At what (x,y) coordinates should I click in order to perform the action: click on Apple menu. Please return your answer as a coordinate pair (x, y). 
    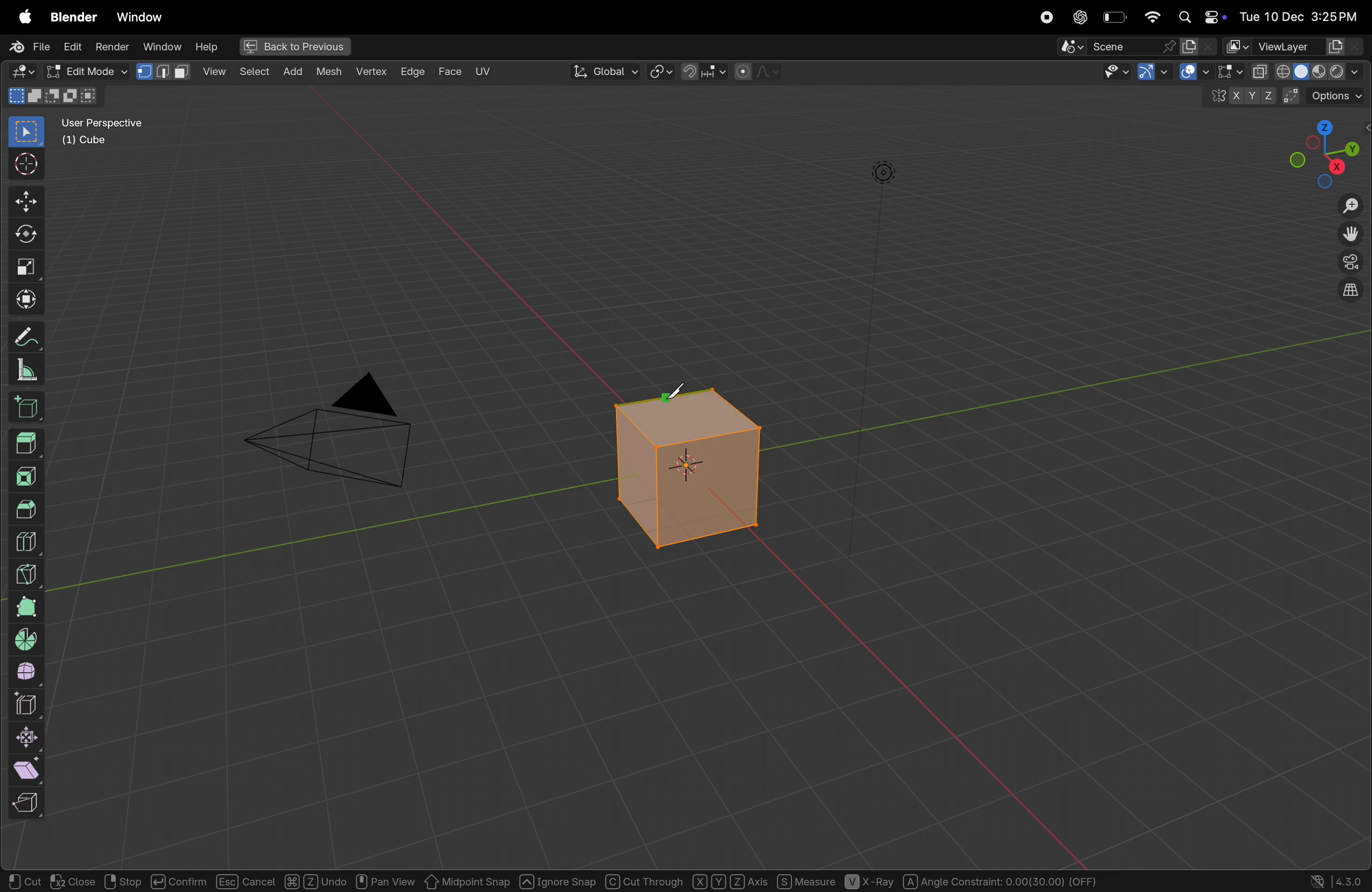
    Looking at the image, I should click on (19, 17).